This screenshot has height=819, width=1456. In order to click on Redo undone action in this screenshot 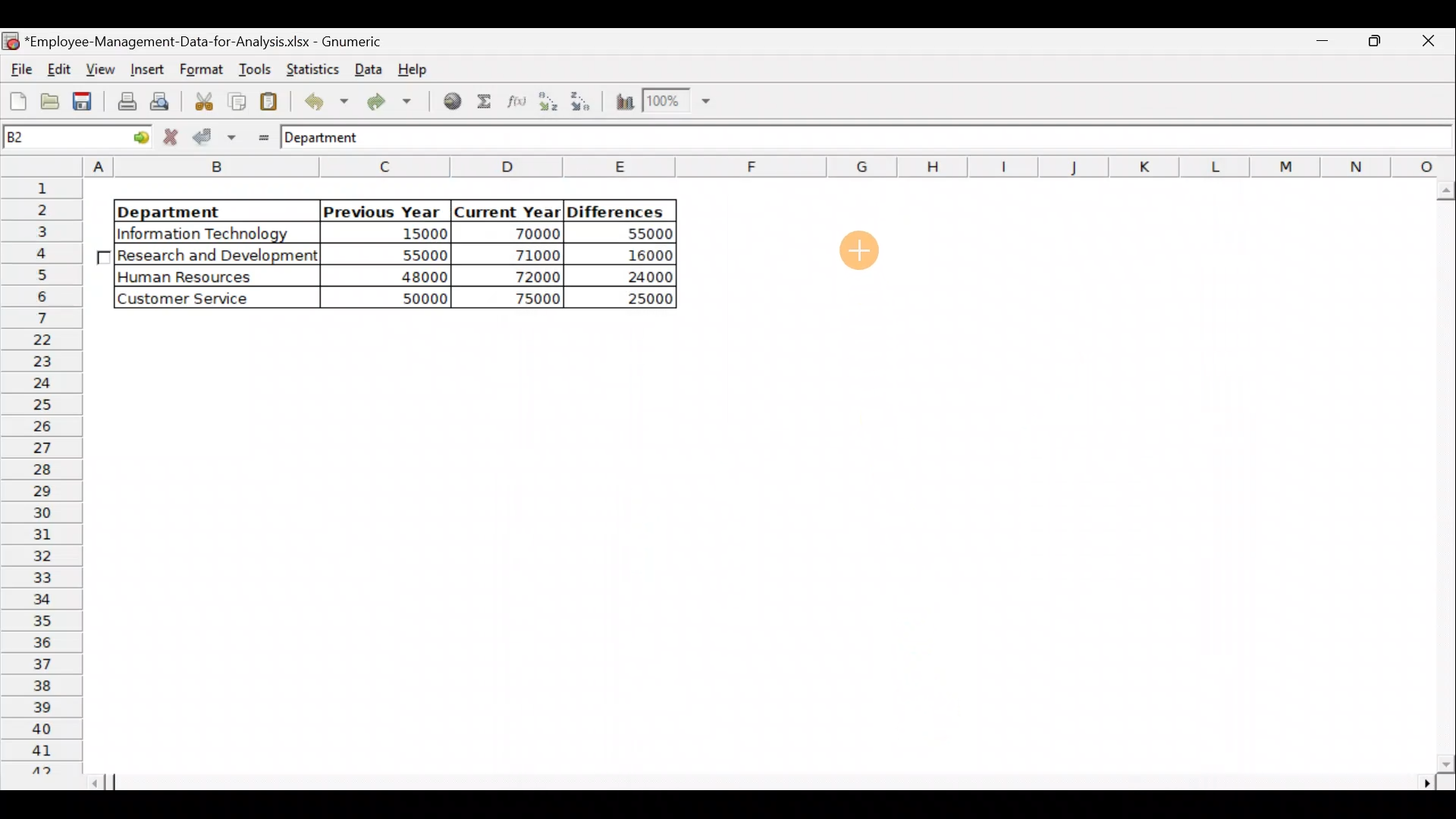, I will do `click(394, 102)`.